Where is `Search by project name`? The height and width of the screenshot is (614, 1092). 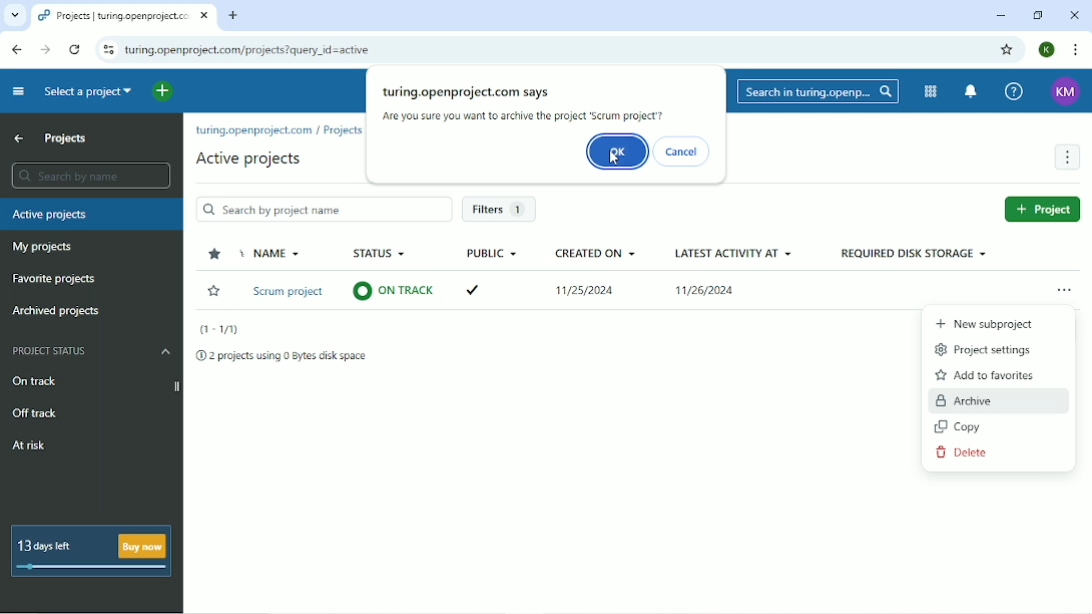 Search by project name is located at coordinates (323, 209).